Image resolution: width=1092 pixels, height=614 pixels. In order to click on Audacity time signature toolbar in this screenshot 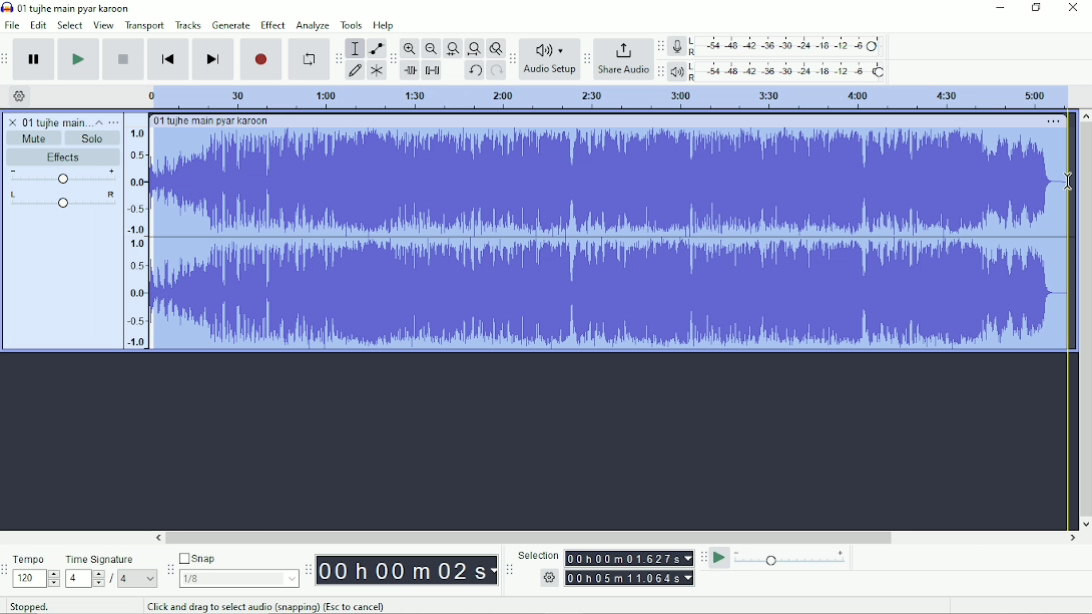, I will do `click(7, 570)`.